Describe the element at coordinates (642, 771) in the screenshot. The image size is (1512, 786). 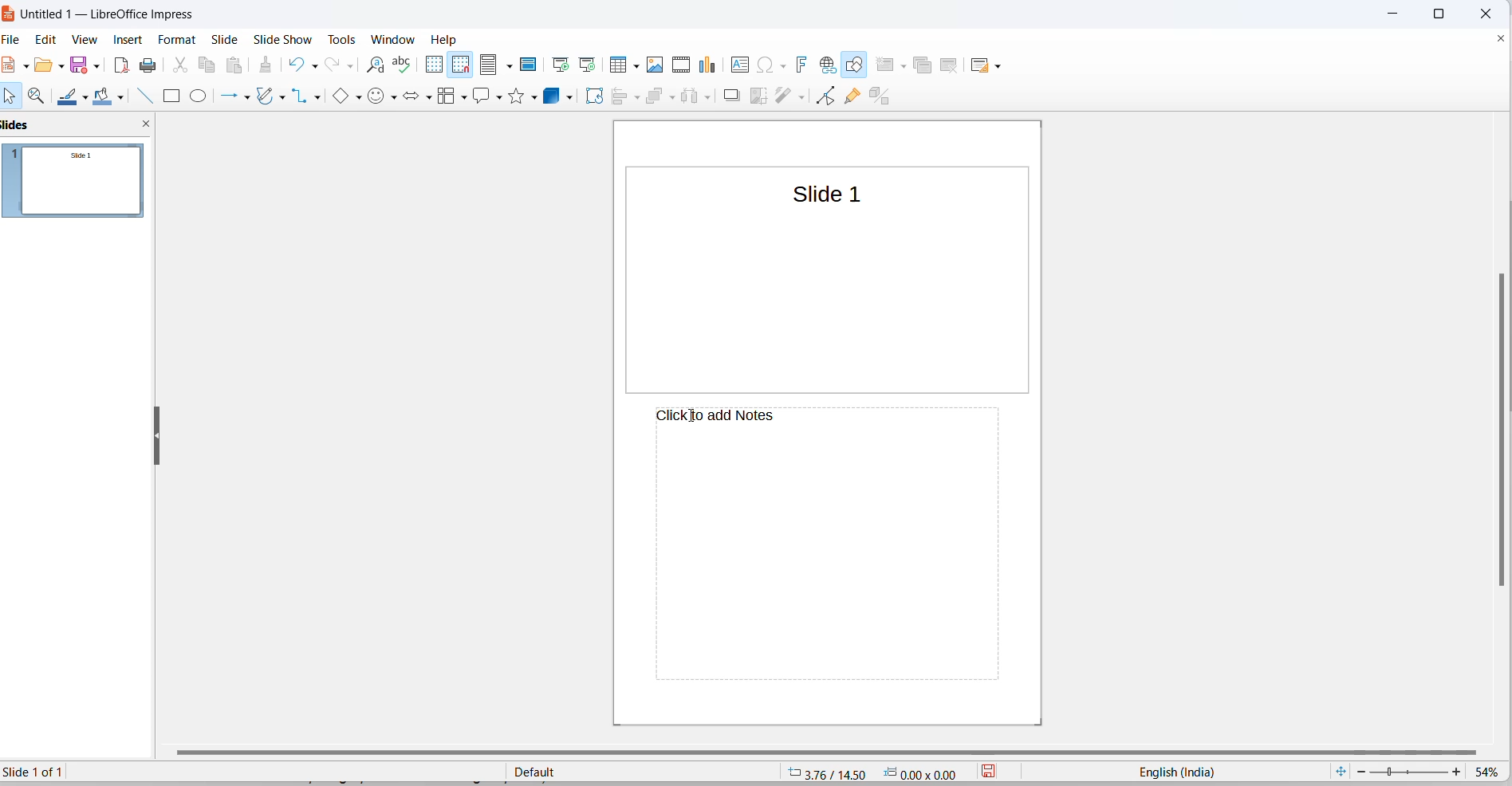
I see `slide master type` at that location.